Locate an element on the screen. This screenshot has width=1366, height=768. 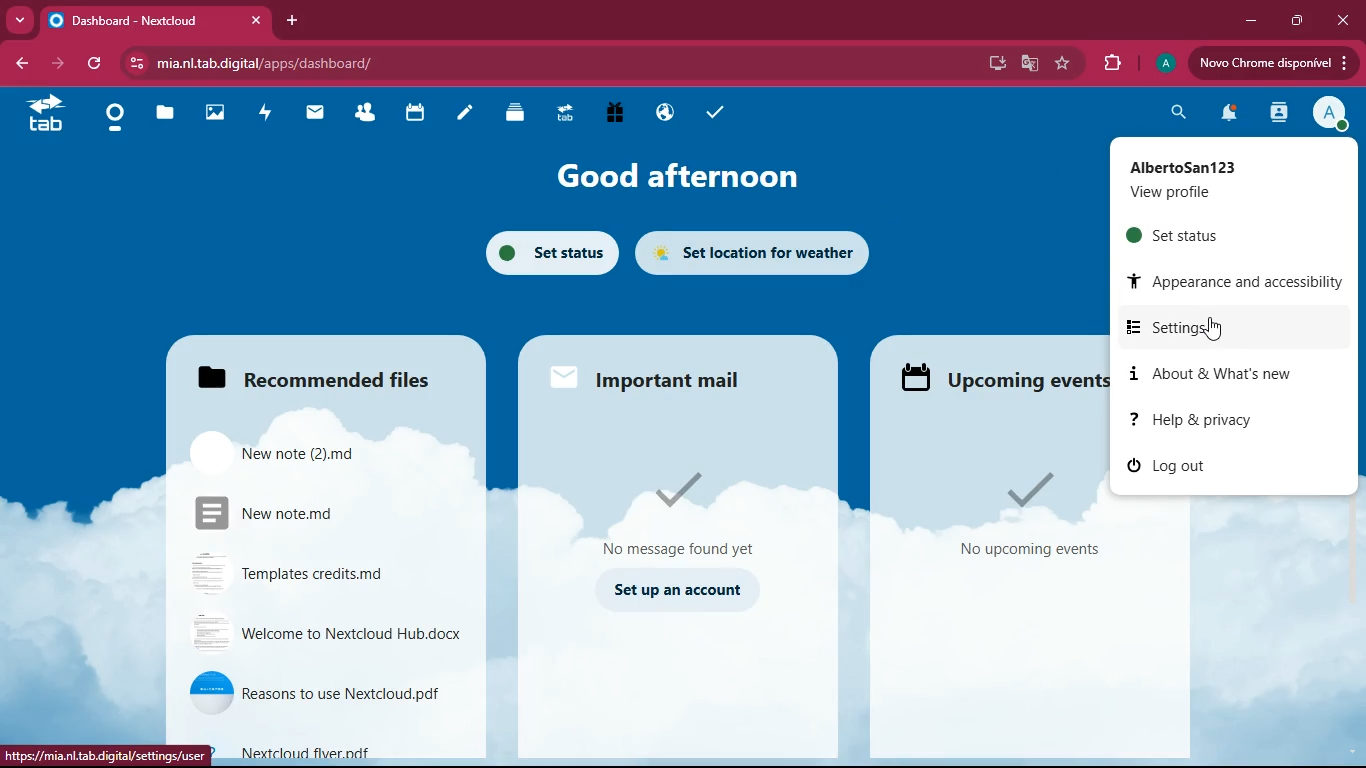
mail is located at coordinates (657, 375).